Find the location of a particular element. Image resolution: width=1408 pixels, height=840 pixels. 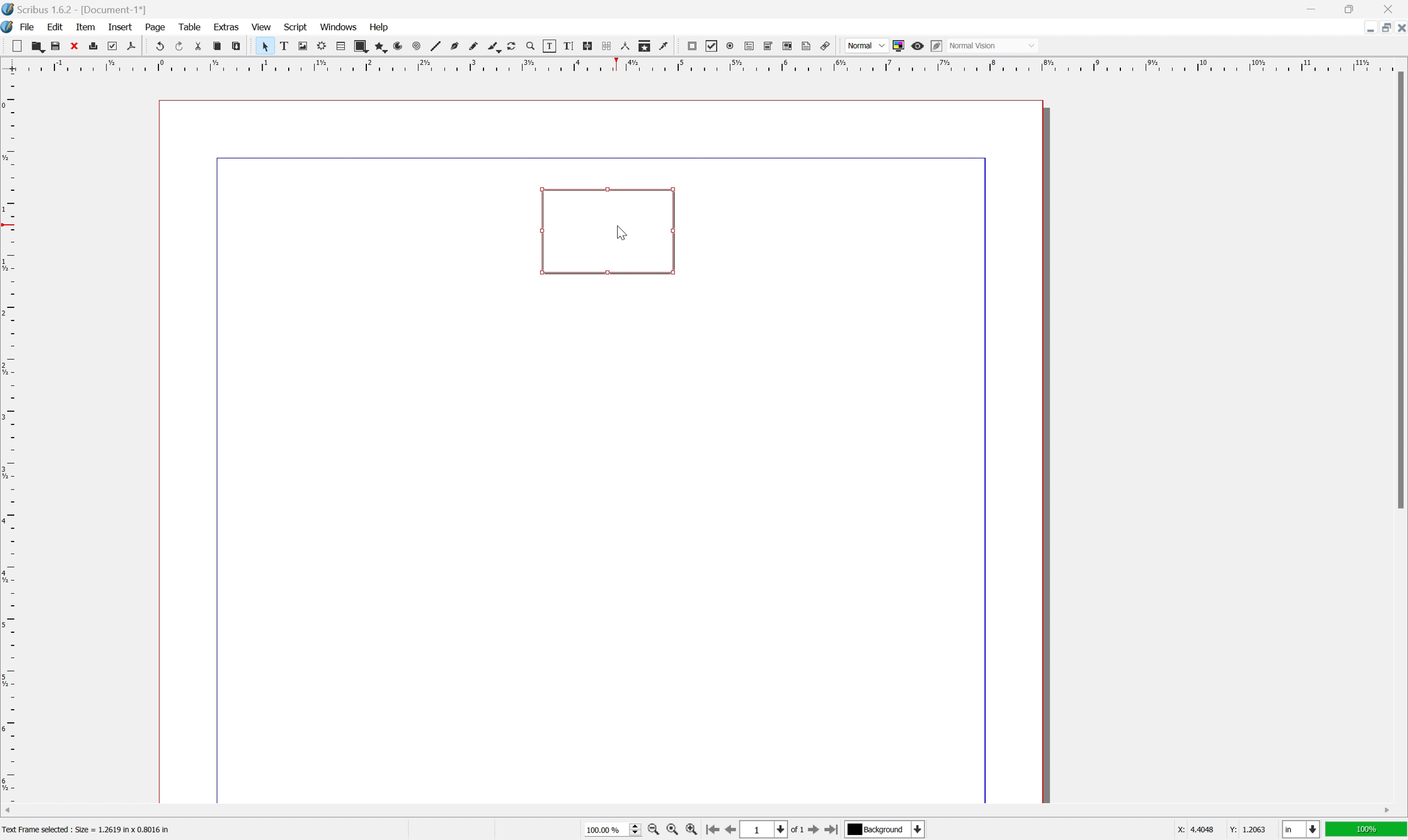

ruler is located at coordinates (9, 437).